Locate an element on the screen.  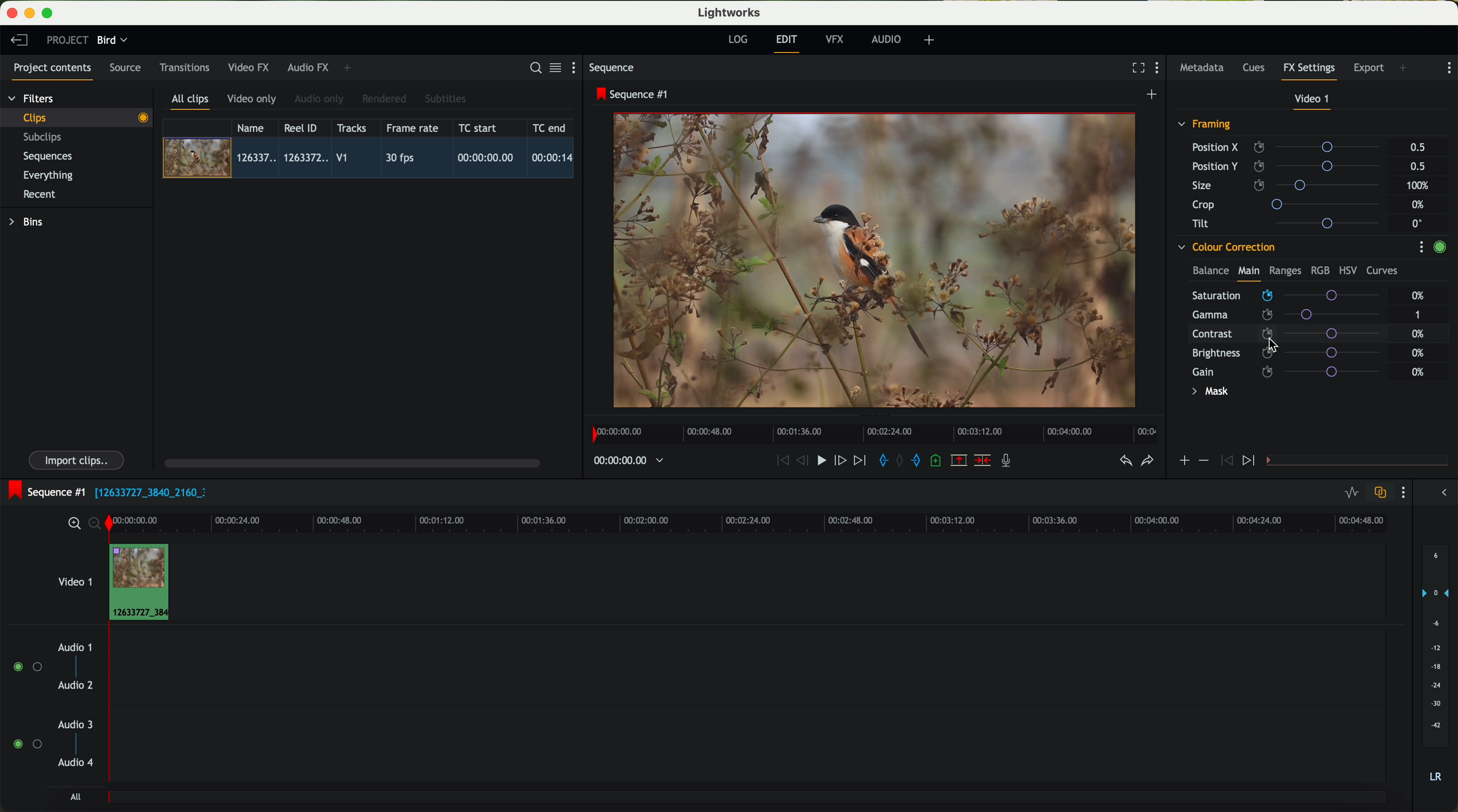
fullscreen is located at coordinates (1136, 67).